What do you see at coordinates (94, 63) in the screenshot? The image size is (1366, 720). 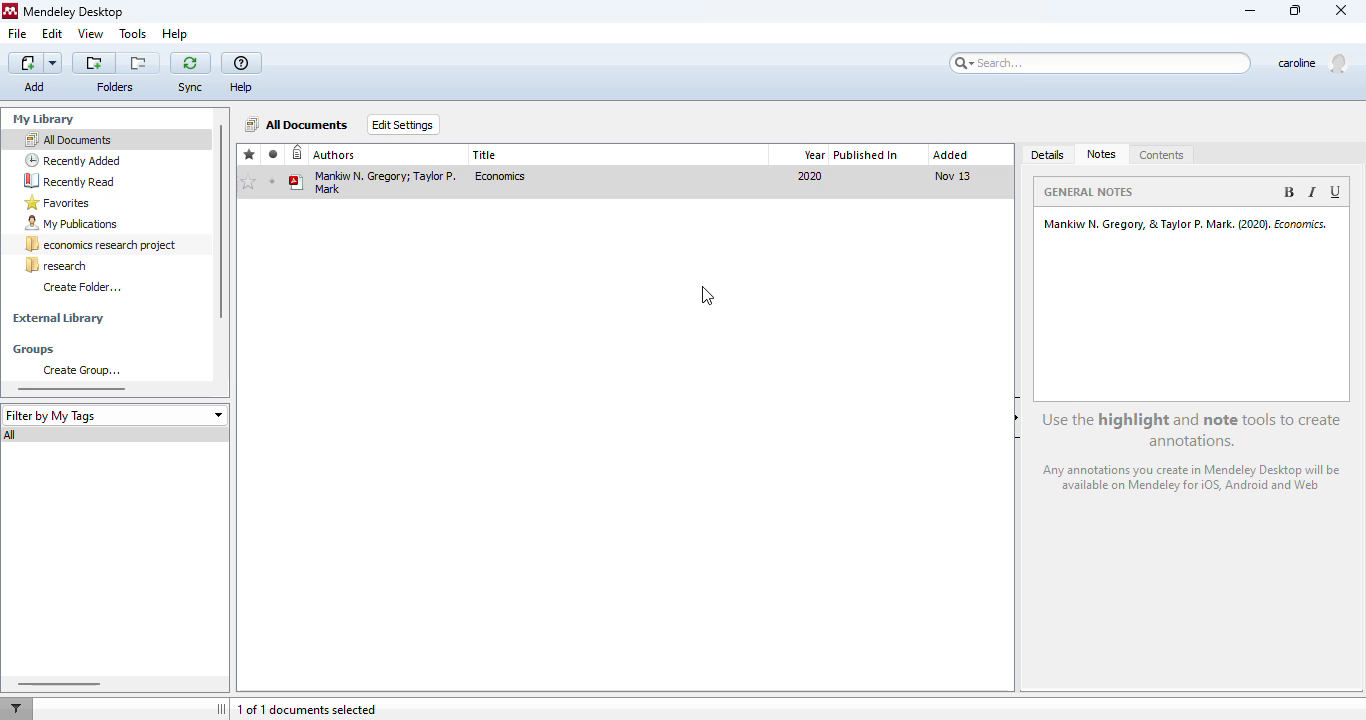 I see `create a new folder` at bounding box center [94, 63].